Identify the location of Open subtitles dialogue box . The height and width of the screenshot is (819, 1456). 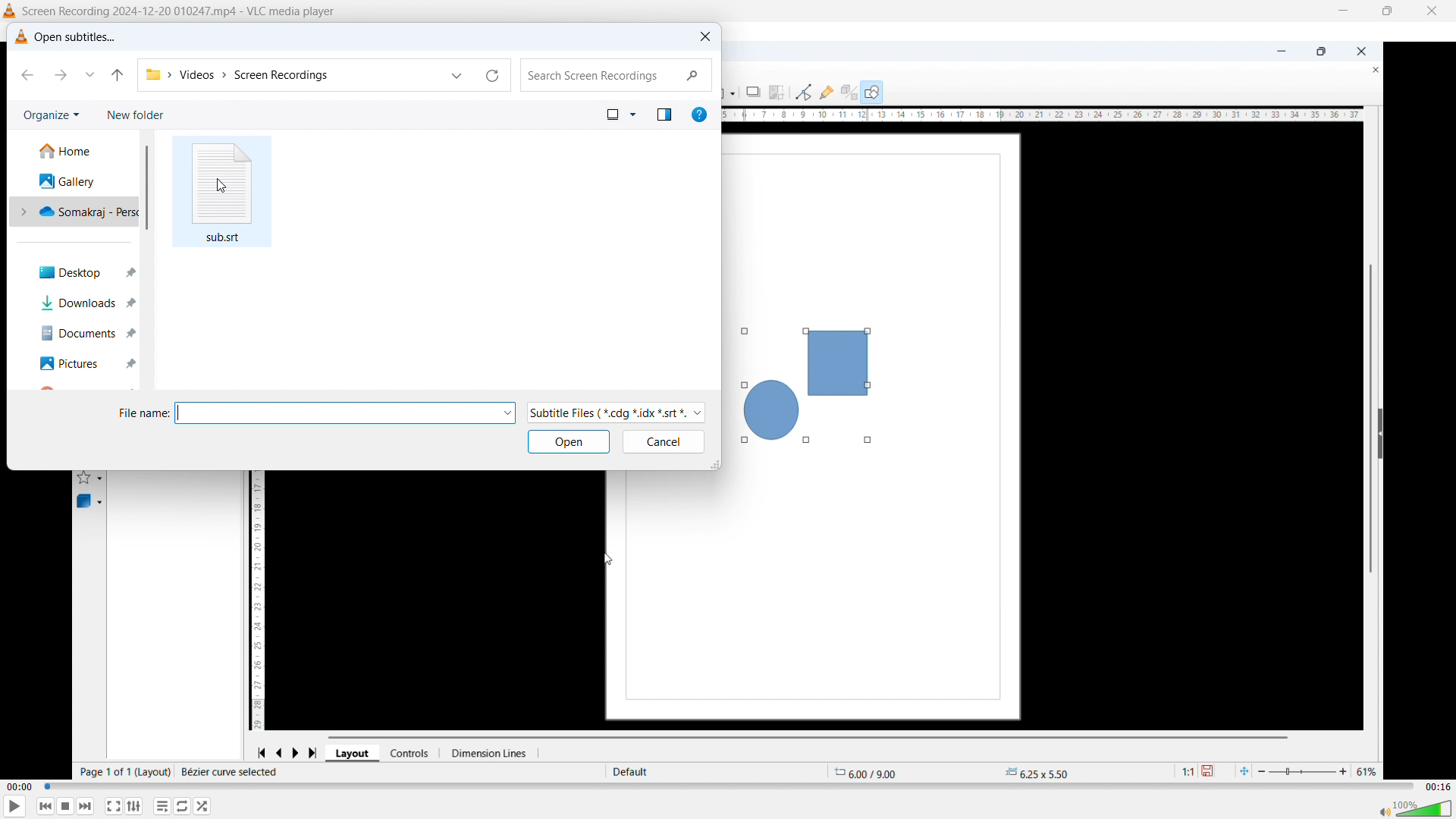
(77, 36).